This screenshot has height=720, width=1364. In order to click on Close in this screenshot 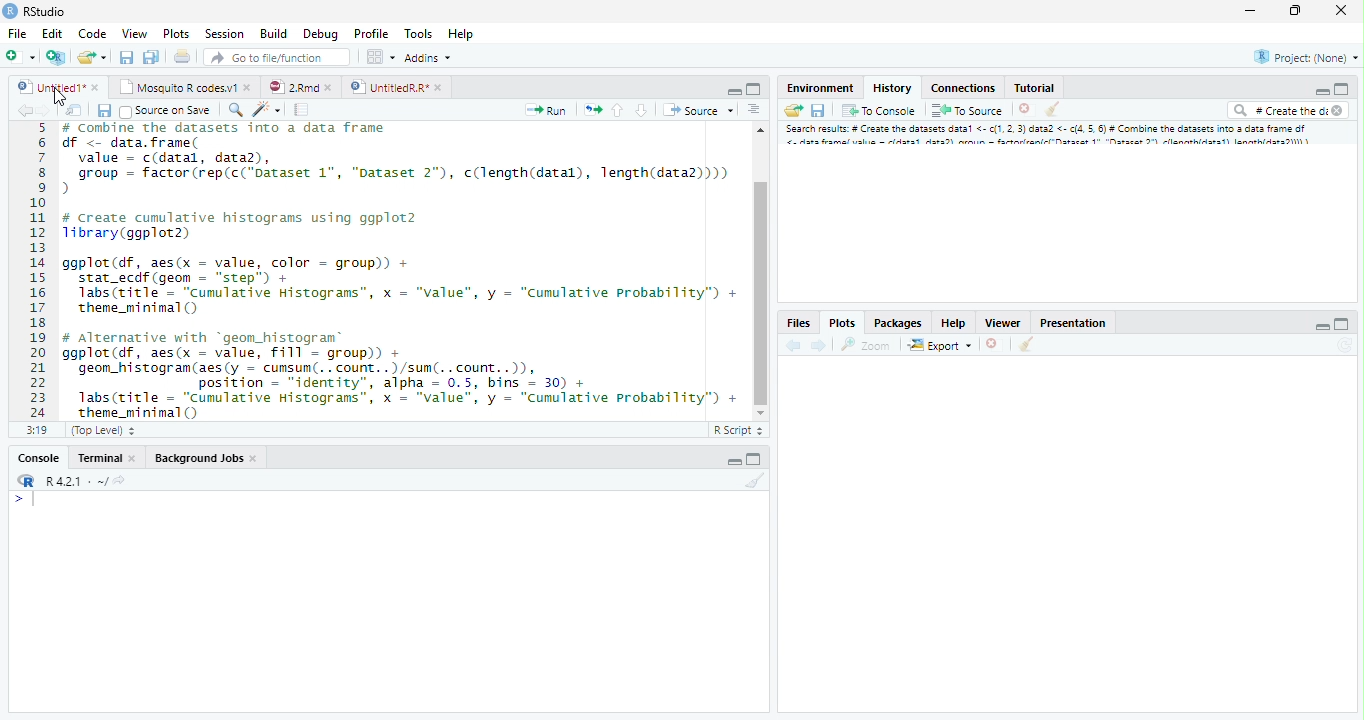, I will do `click(1339, 10)`.